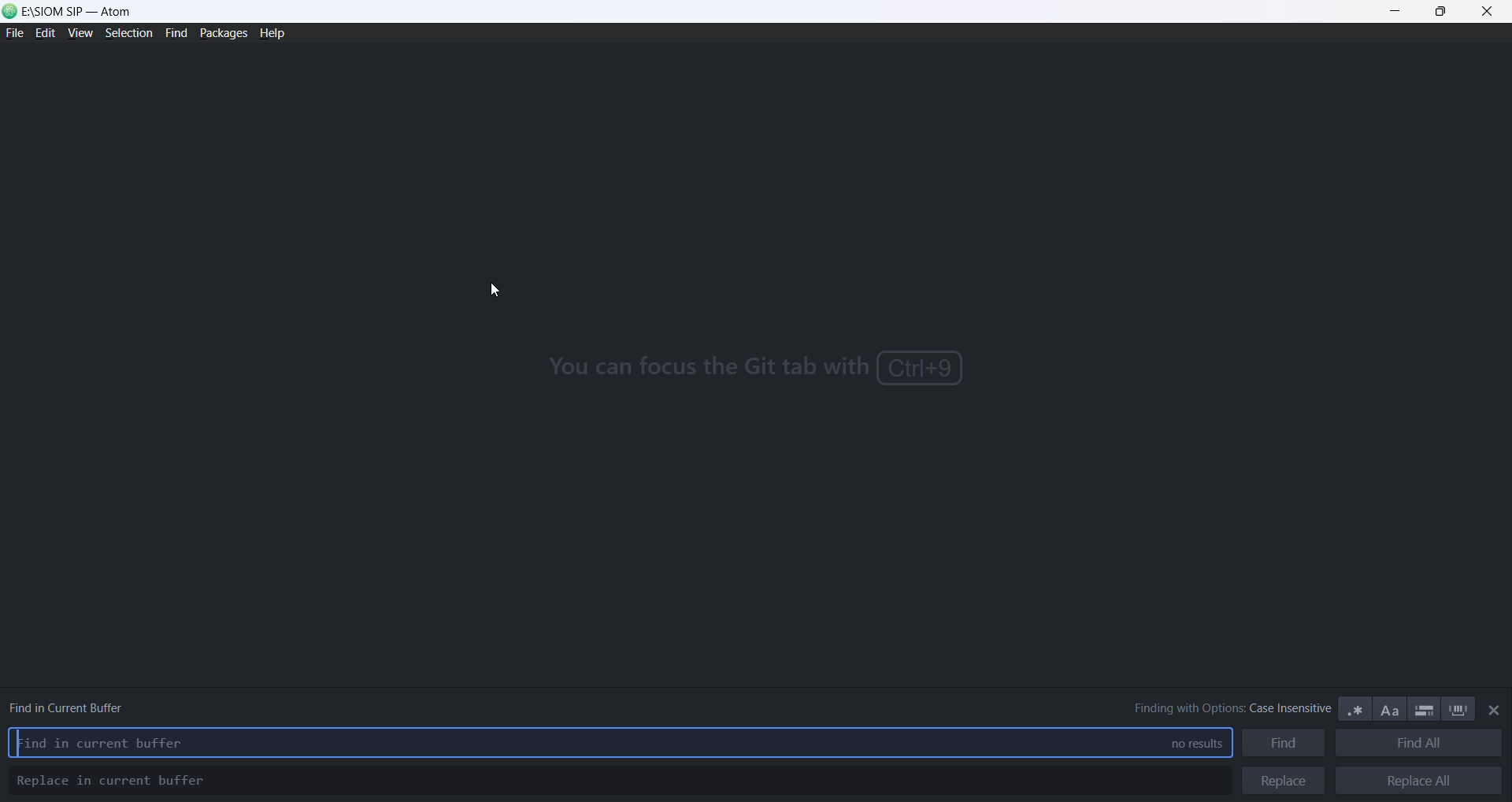  I want to click on typing area, so click(576, 744).